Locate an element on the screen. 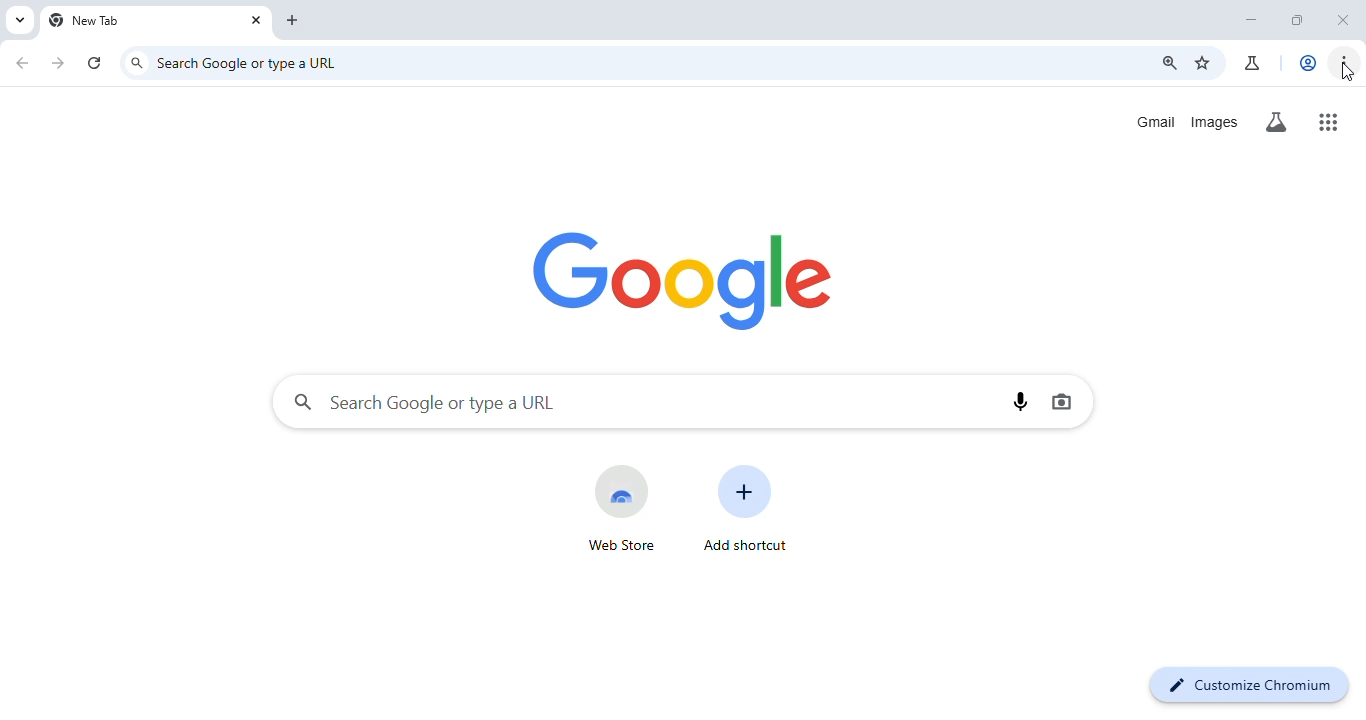 This screenshot has width=1366, height=720. search icon is located at coordinates (138, 63).